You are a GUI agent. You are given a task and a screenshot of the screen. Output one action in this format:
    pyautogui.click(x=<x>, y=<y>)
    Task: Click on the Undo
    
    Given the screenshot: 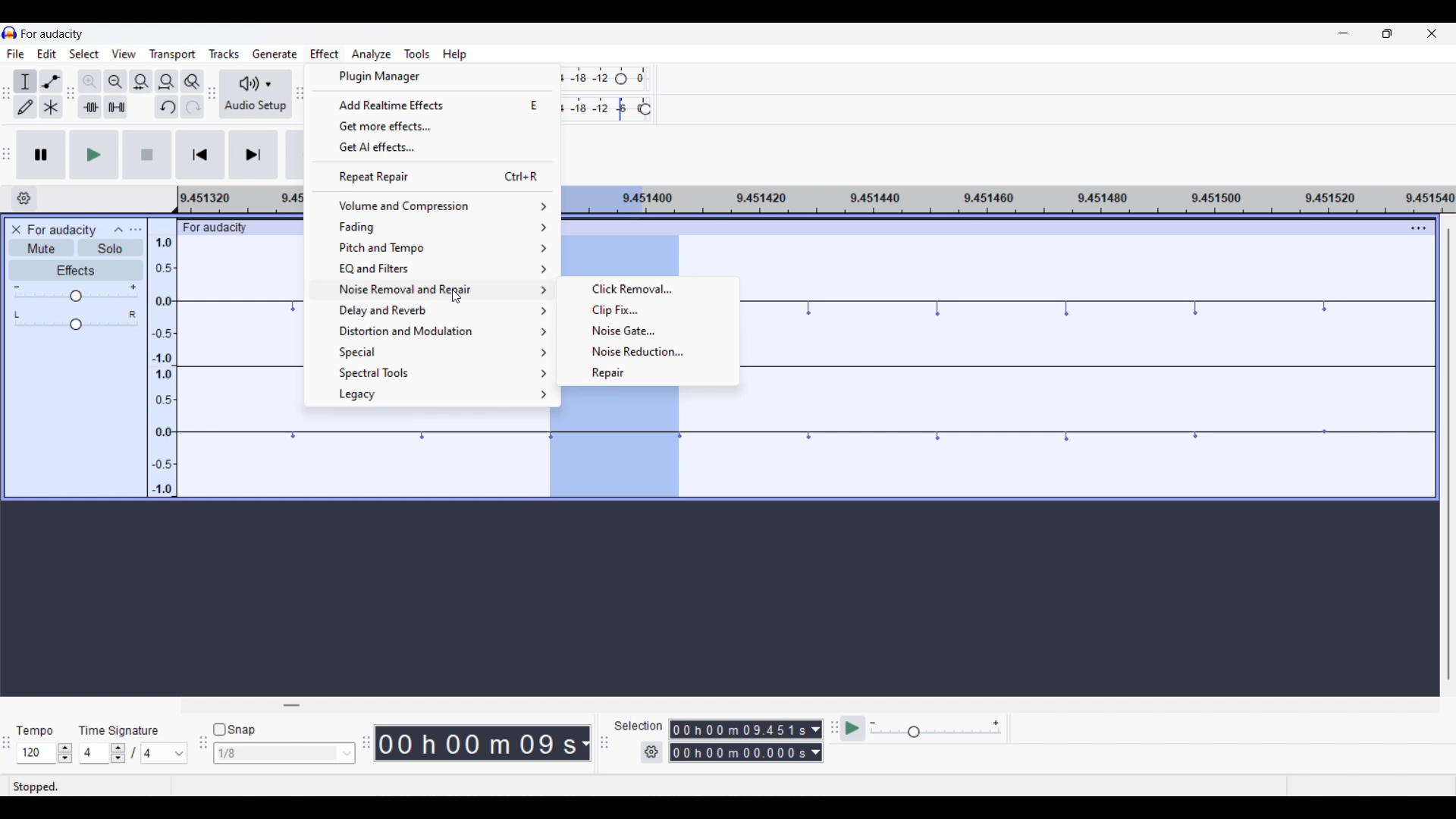 What is the action you would take?
    pyautogui.click(x=167, y=106)
    